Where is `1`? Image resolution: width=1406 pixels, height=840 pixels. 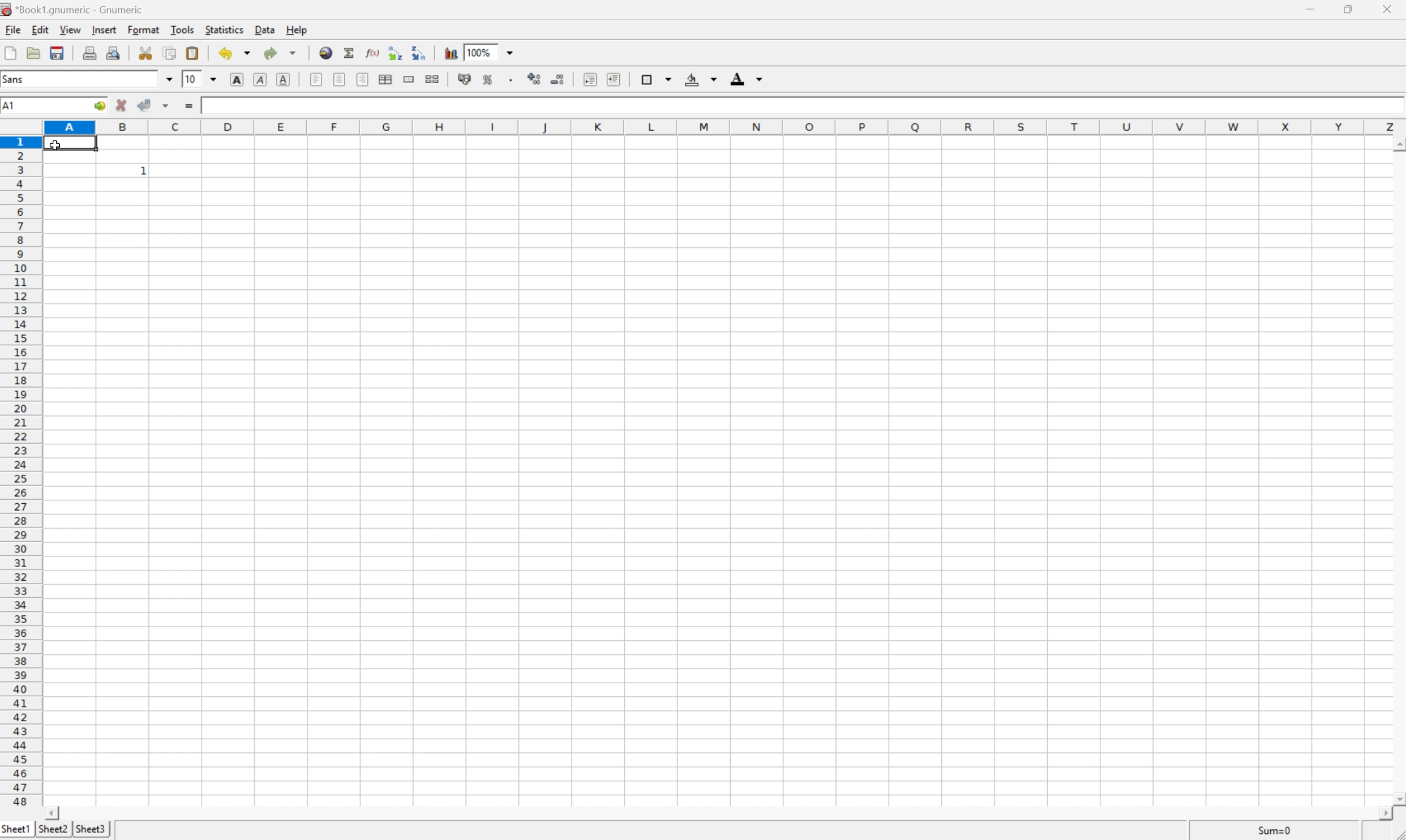
1 is located at coordinates (144, 172).